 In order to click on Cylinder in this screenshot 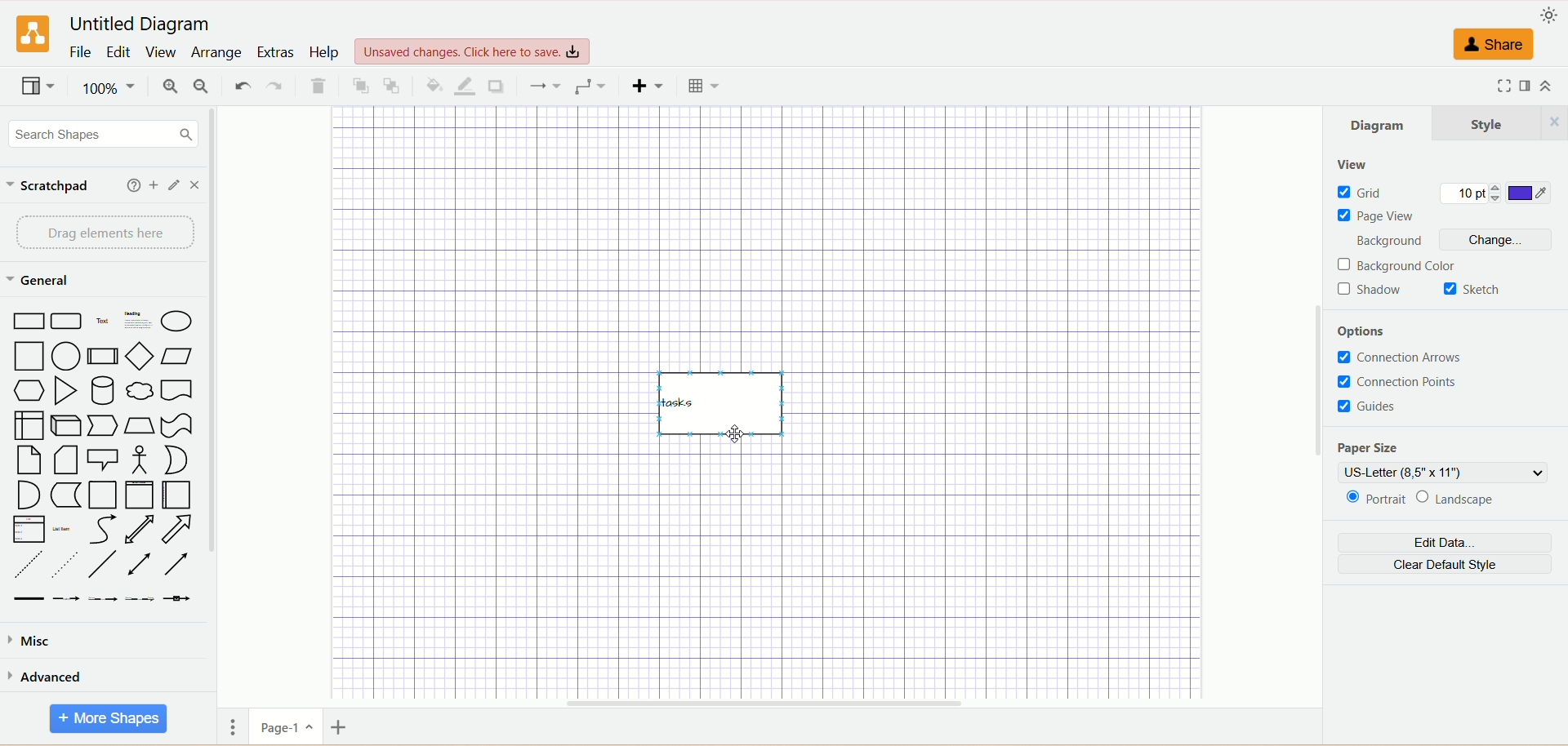, I will do `click(103, 393)`.